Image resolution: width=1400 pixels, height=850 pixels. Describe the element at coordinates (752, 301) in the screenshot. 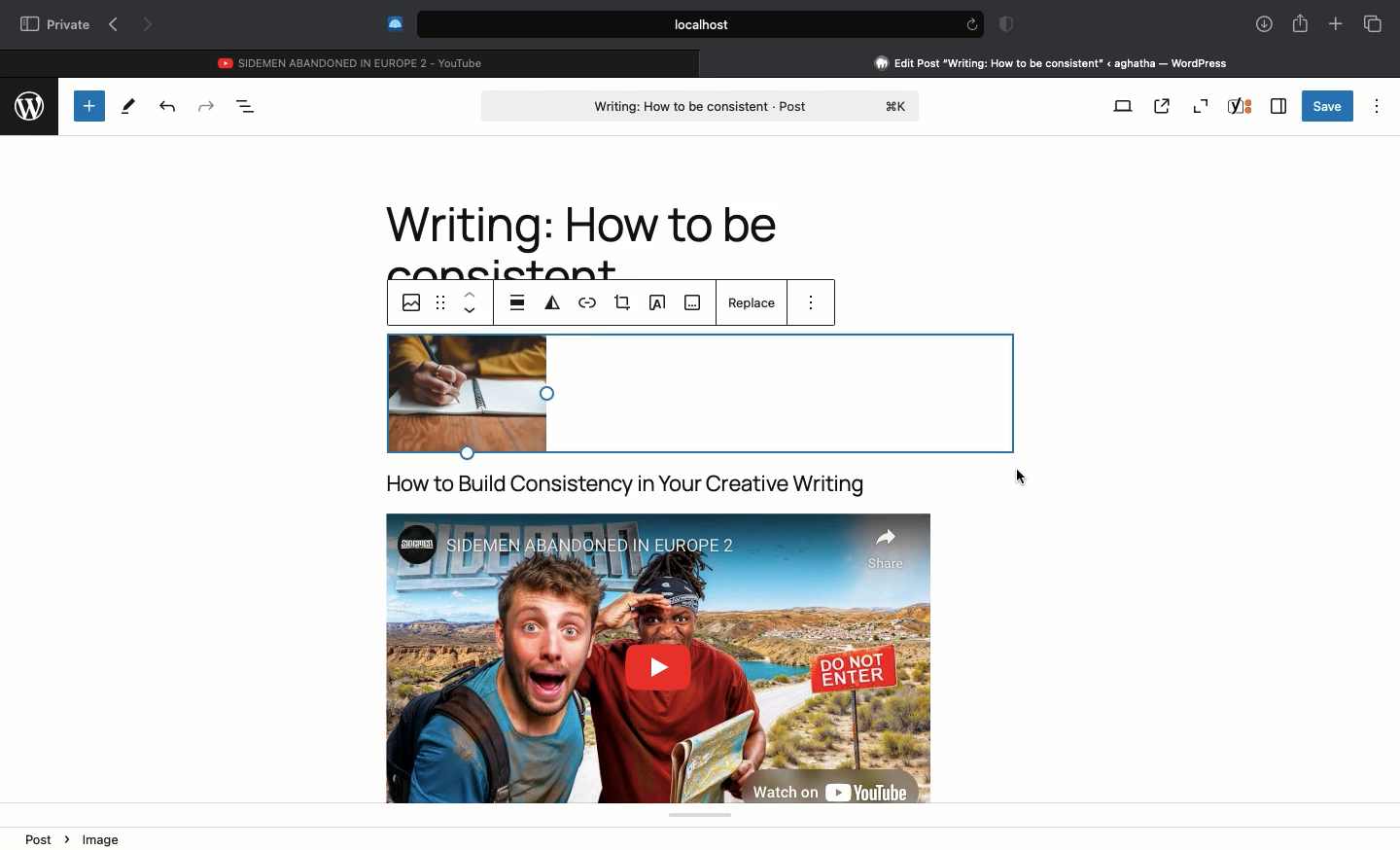

I see `replace` at that location.